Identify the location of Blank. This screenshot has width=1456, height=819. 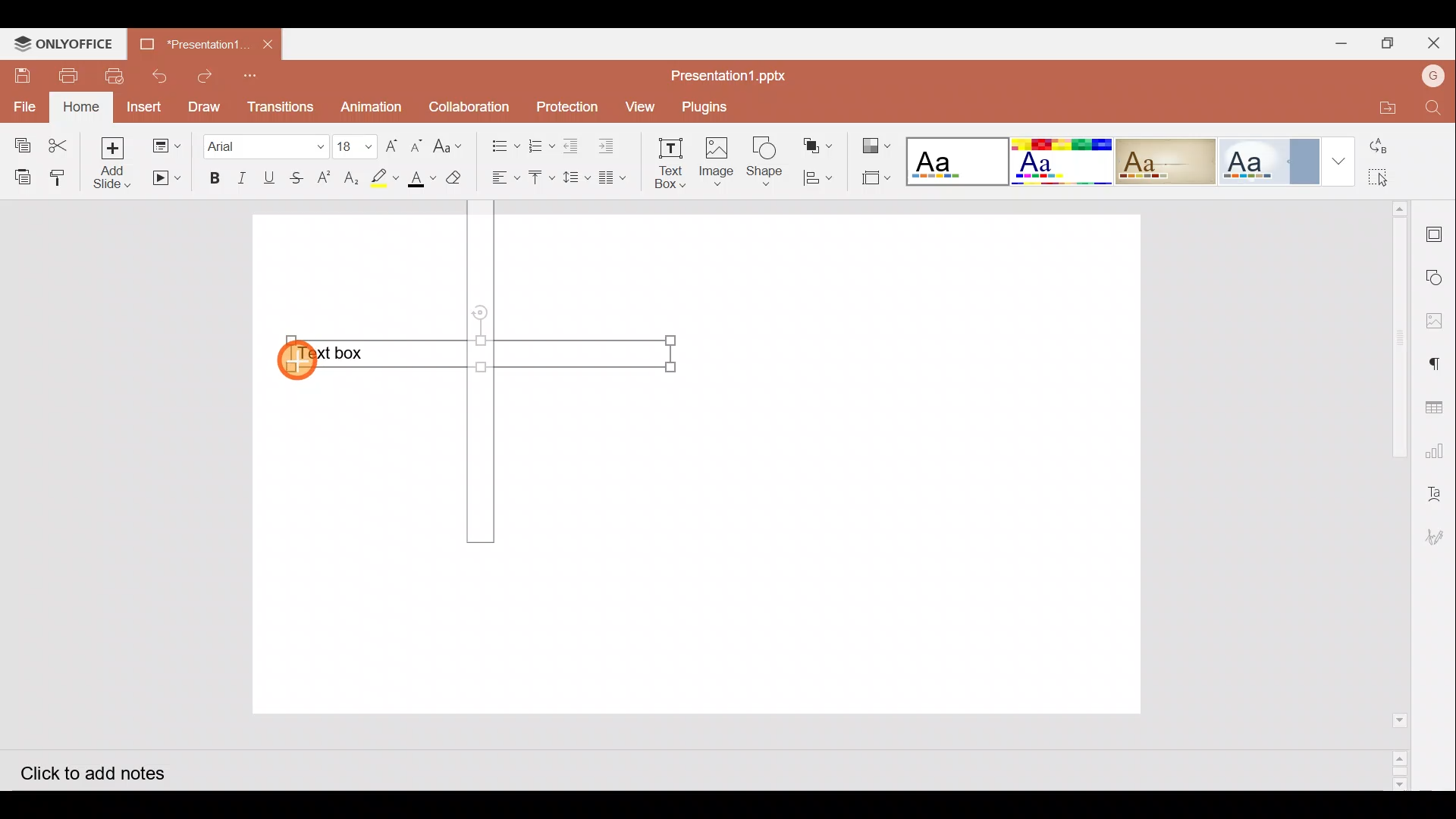
(954, 159).